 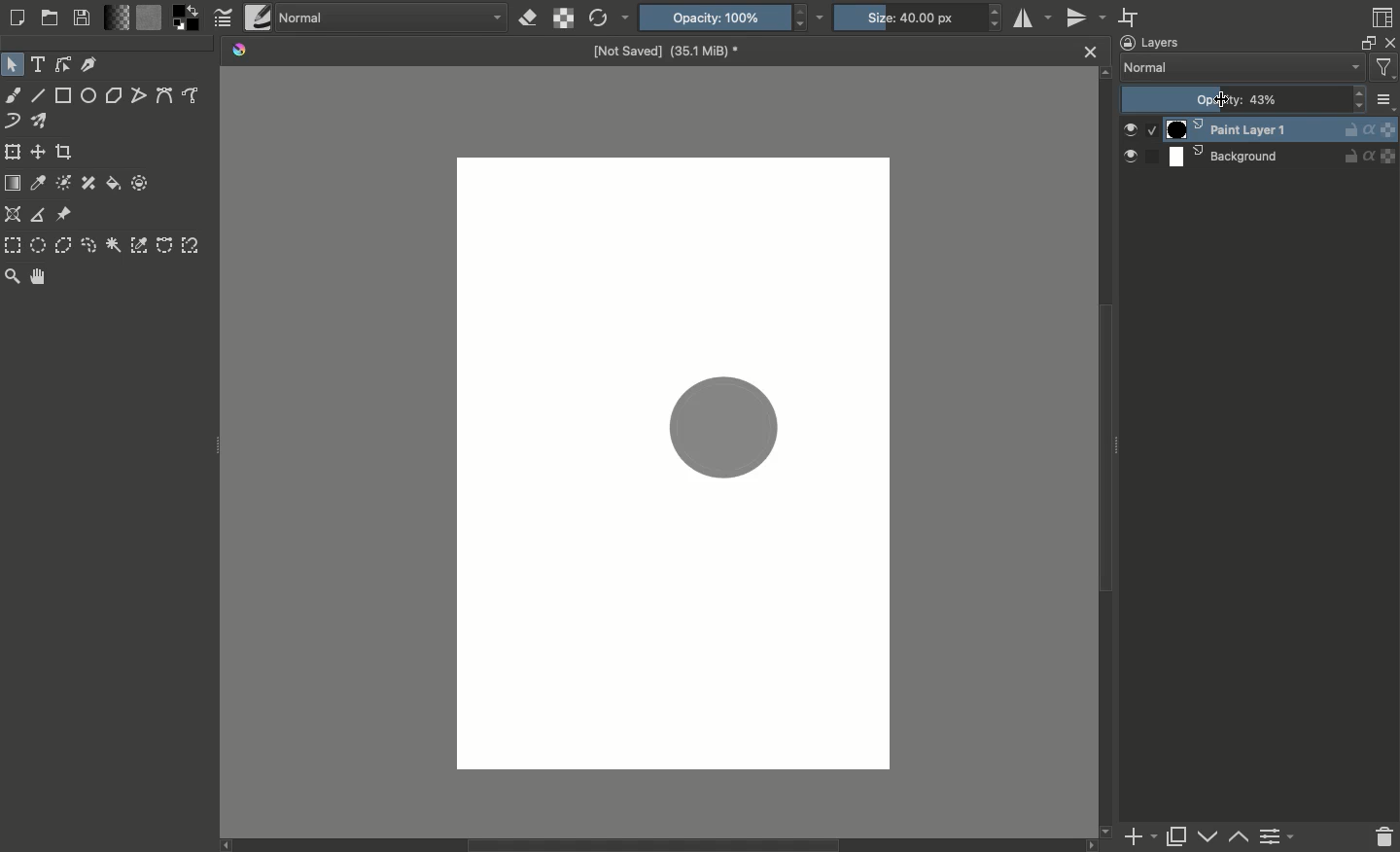 What do you see at coordinates (1249, 128) in the screenshot?
I see `Paint layer` at bounding box center [1249, 128].